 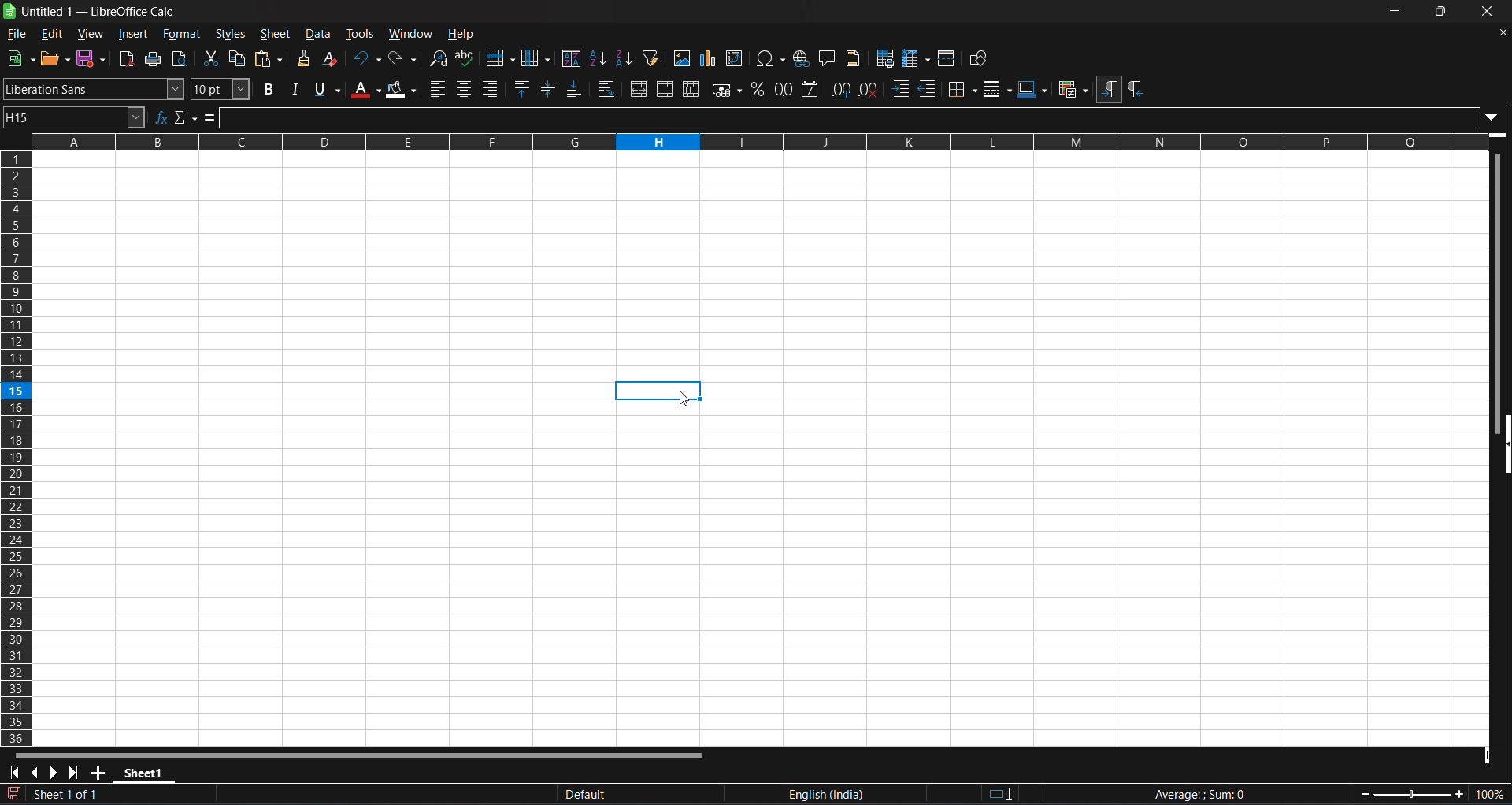 What do you see at coordinates (625, 60) in the screenshot?
I see `sort descending` at bounding box center [625, 60].